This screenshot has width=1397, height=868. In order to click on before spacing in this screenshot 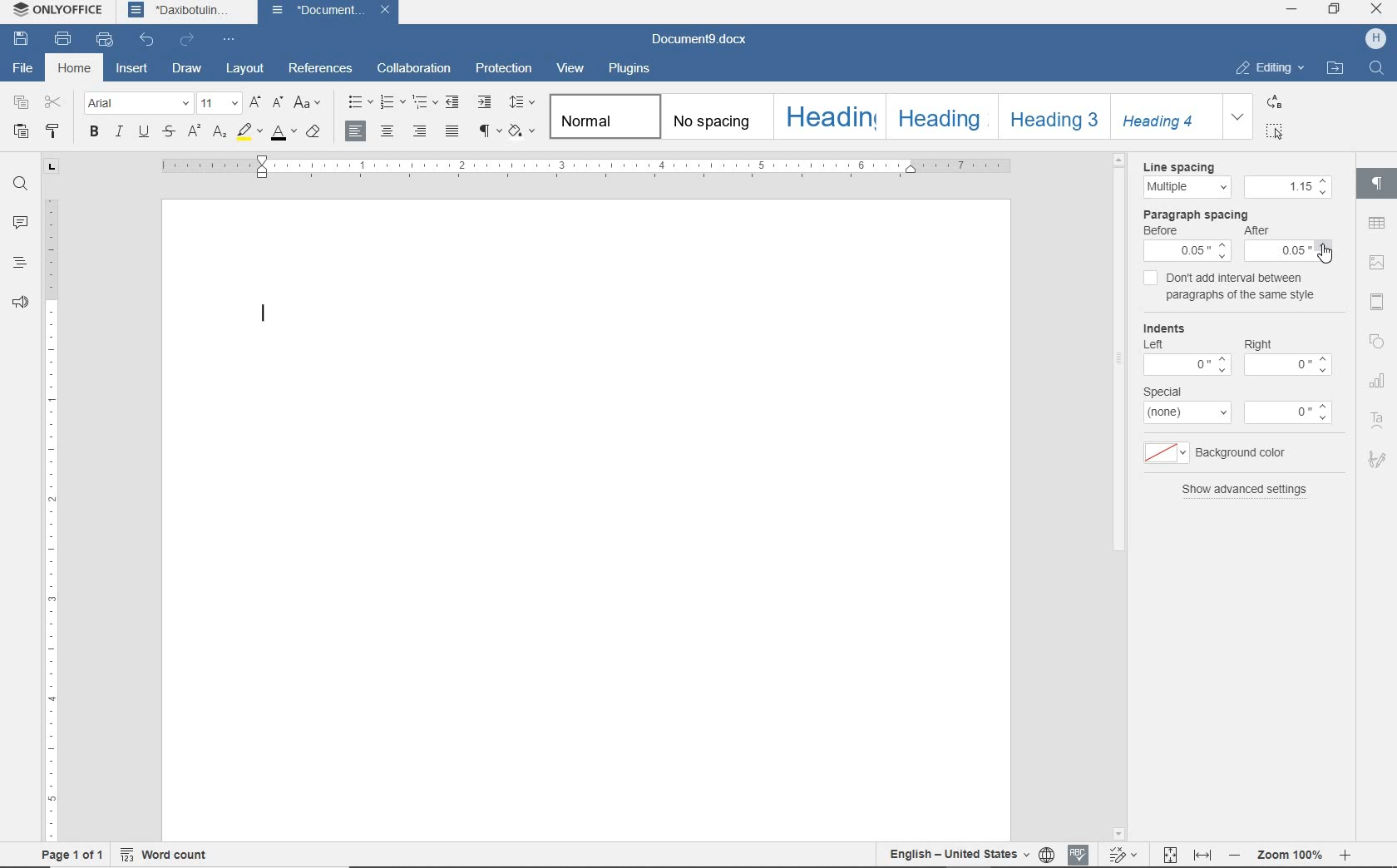, I will do `click(1188, 251)`.